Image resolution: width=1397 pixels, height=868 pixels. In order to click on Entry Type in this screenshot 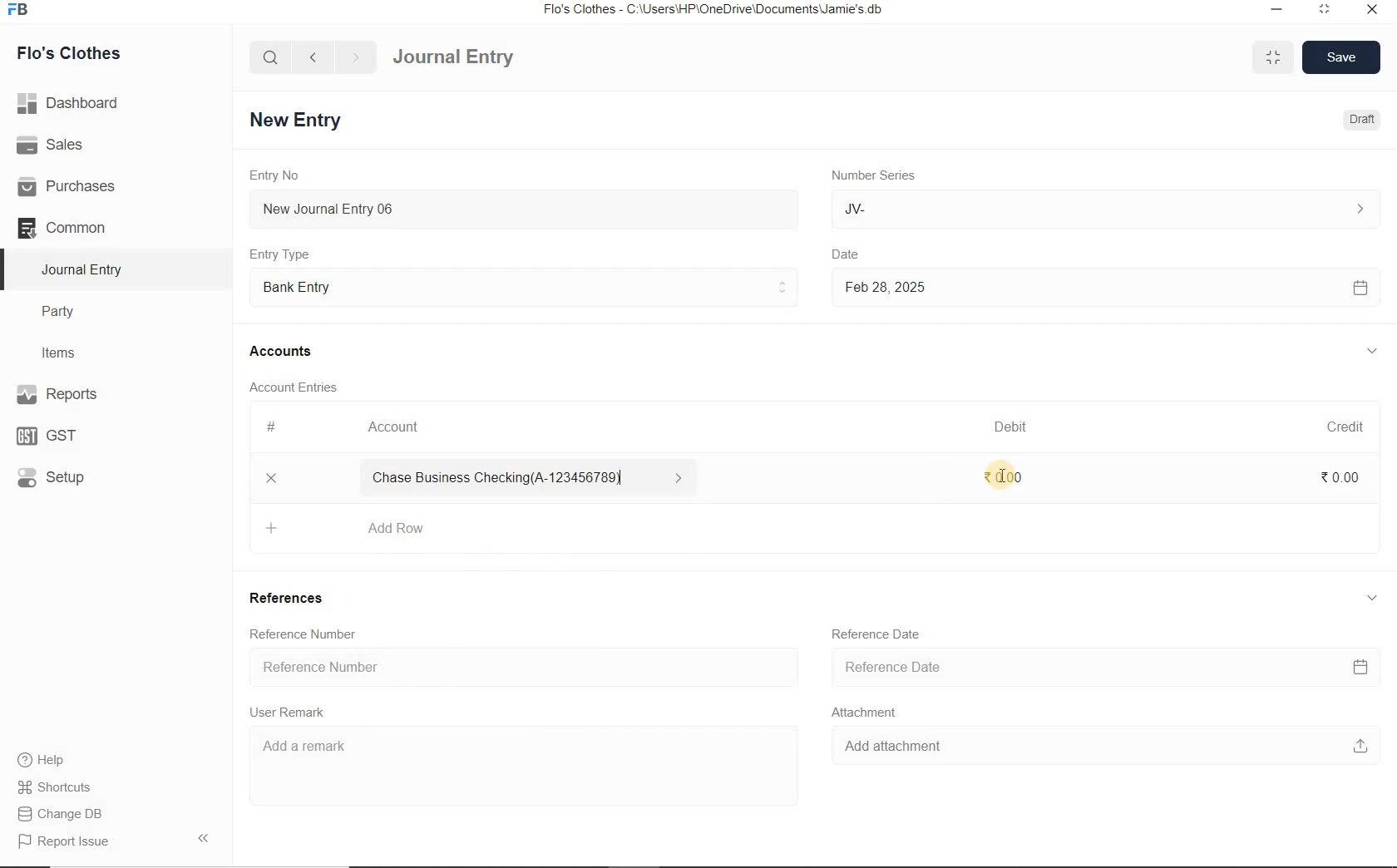, I will do `click(285, 254)`.